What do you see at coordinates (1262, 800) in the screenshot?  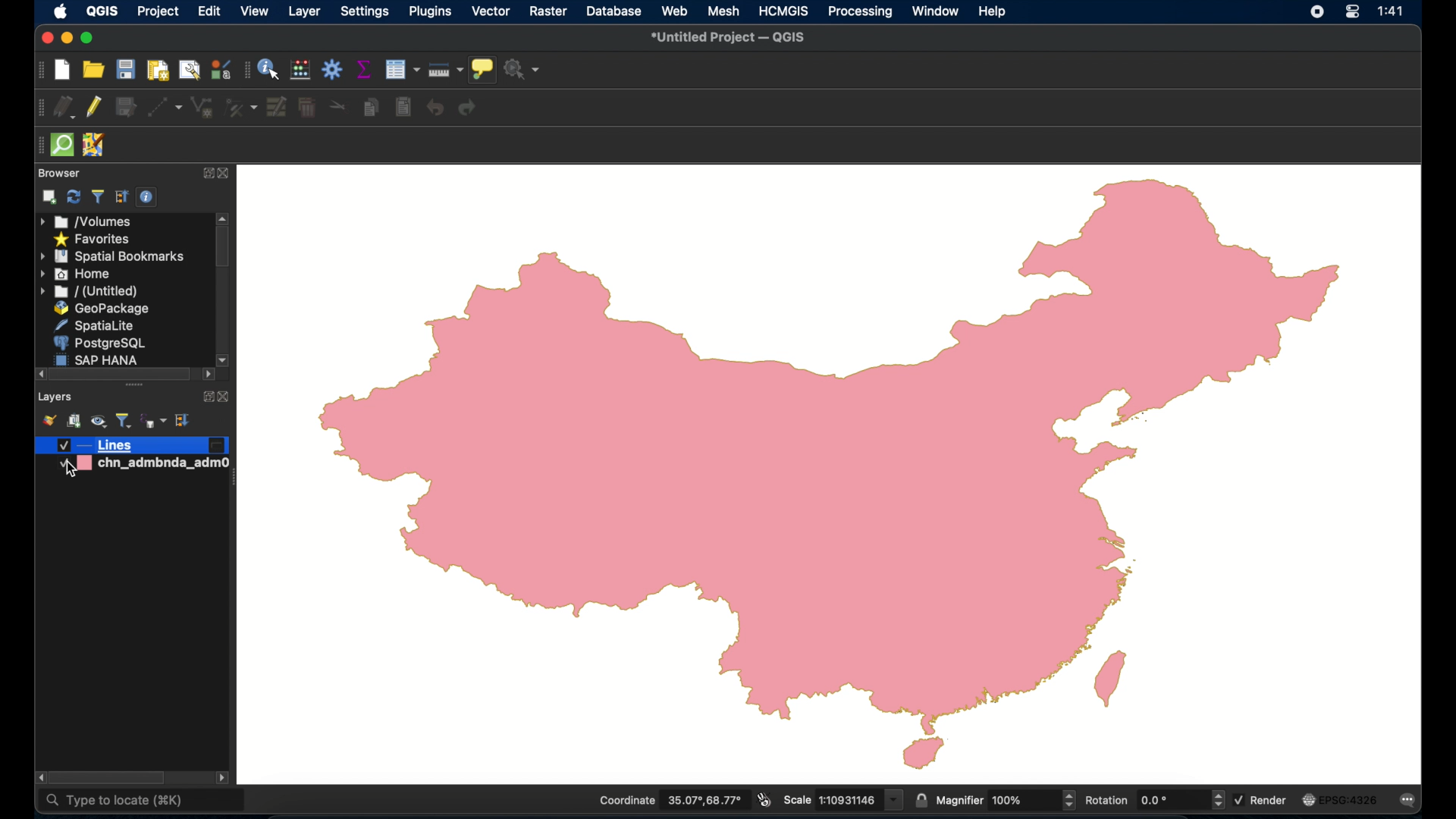 I see `render` at bounding box center [1262, 800].